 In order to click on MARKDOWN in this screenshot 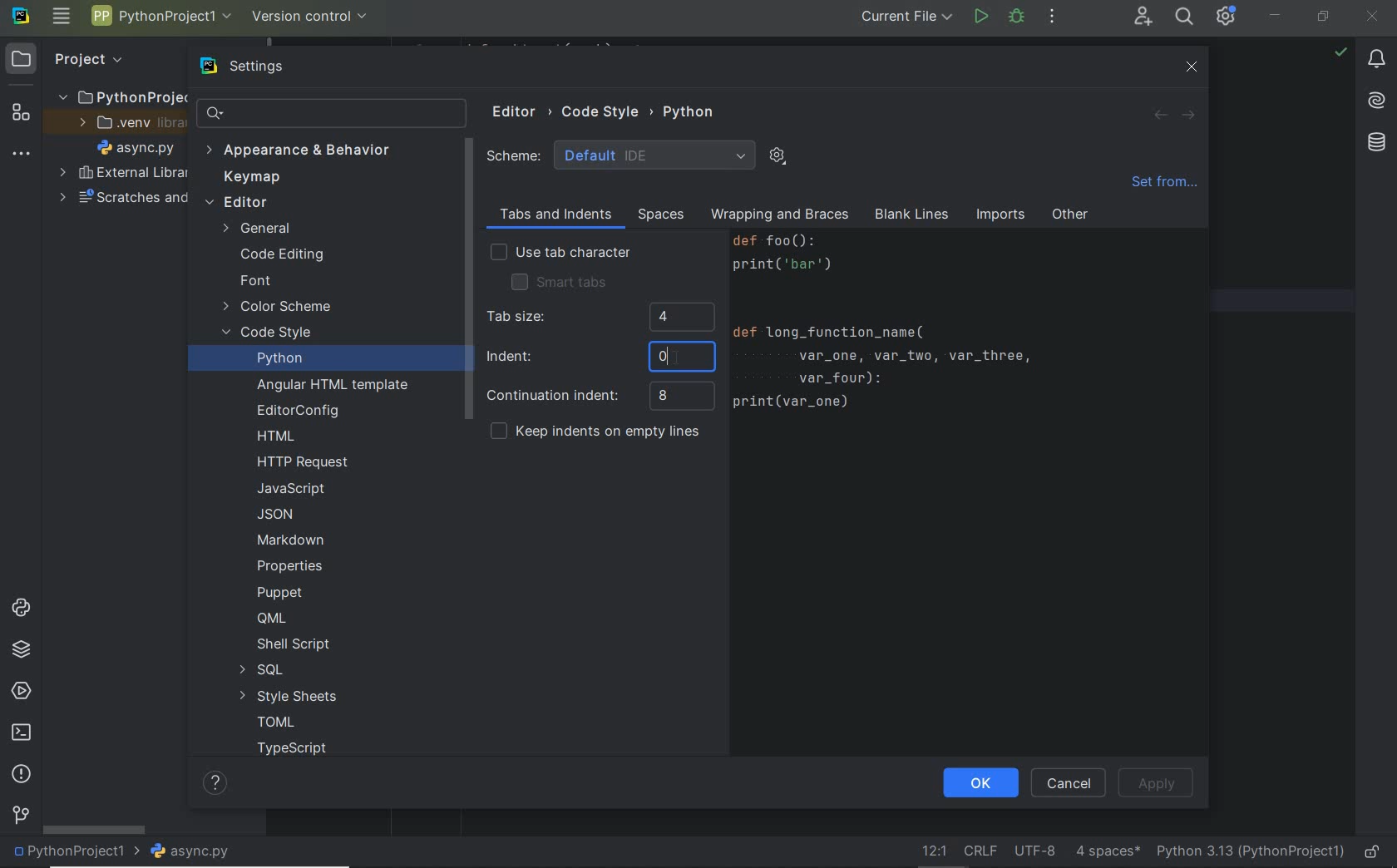, I will do `click(290, 540)`.